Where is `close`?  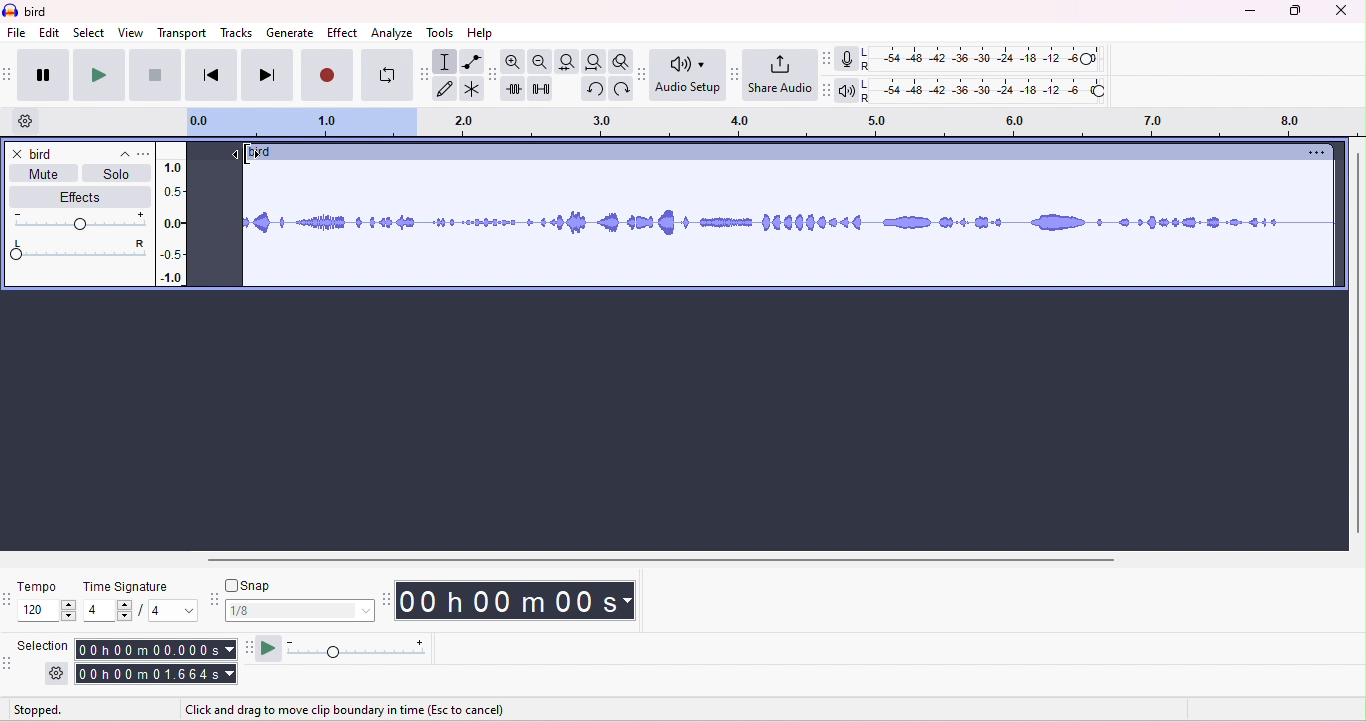 close is located at coordinates (1342, 11).